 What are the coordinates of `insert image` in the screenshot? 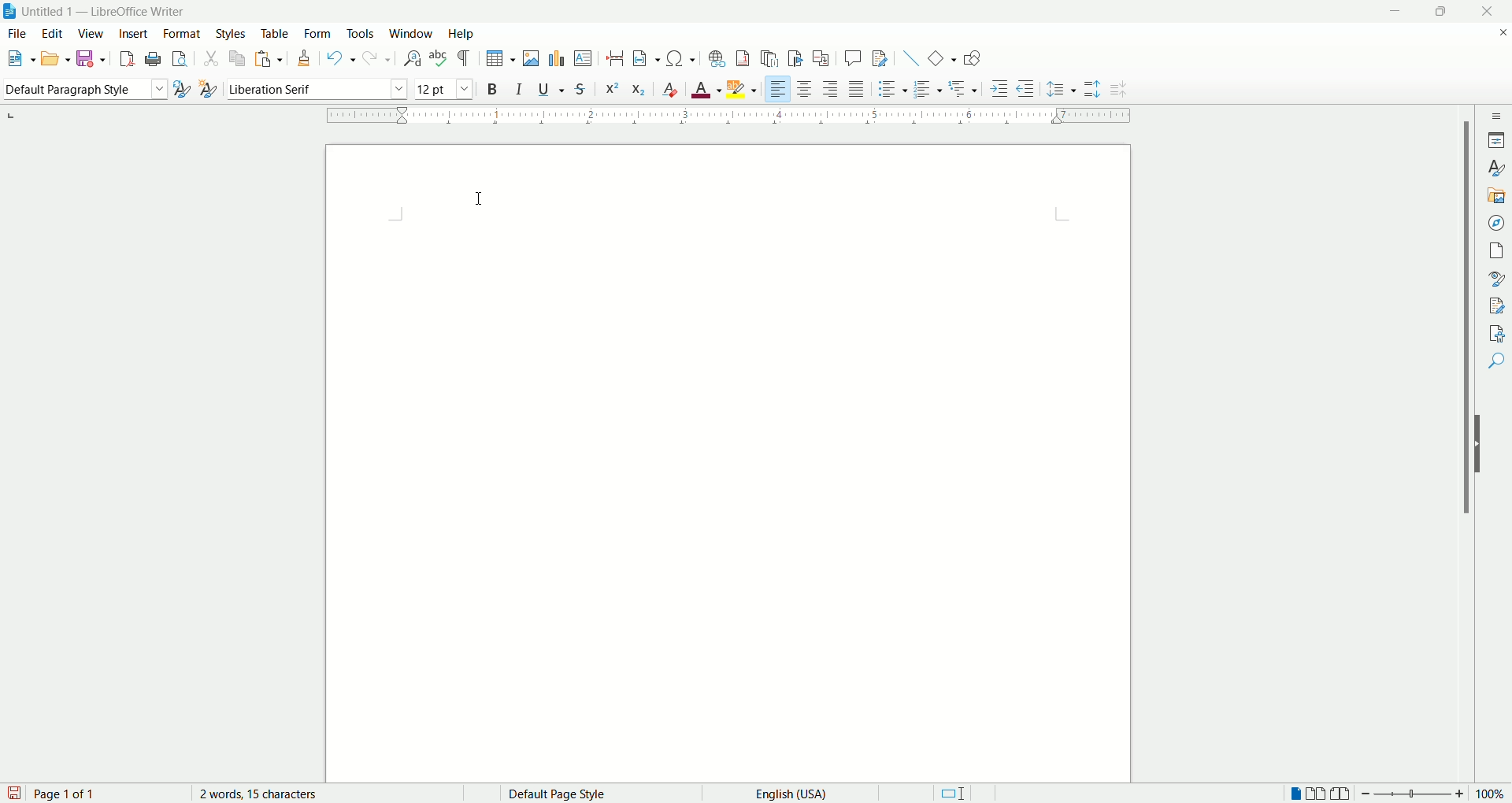 It's located at (531, 57).